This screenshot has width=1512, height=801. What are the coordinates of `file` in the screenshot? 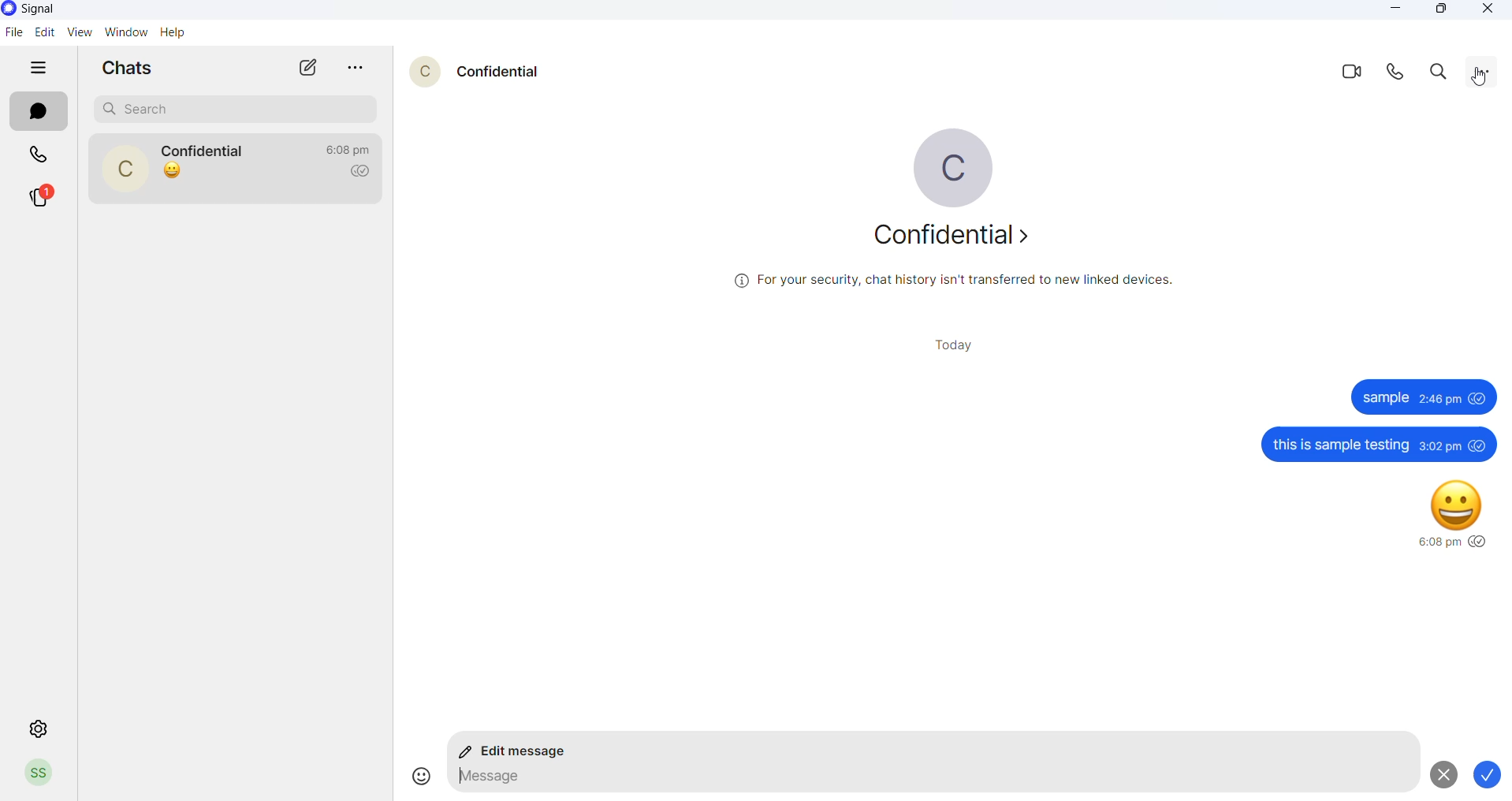 It's located at (14, 32).